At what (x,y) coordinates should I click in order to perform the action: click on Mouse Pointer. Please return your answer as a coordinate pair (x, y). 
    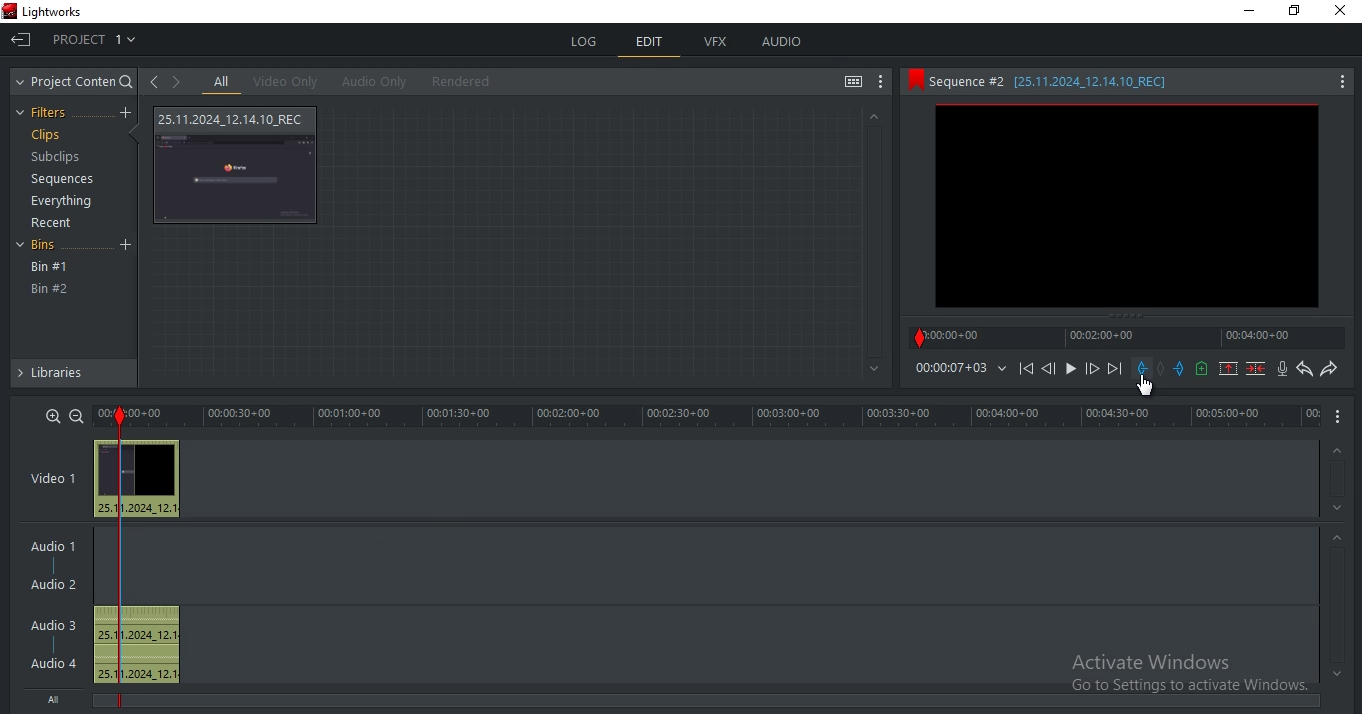
    Looking at the image, I should click on (1145, 387).